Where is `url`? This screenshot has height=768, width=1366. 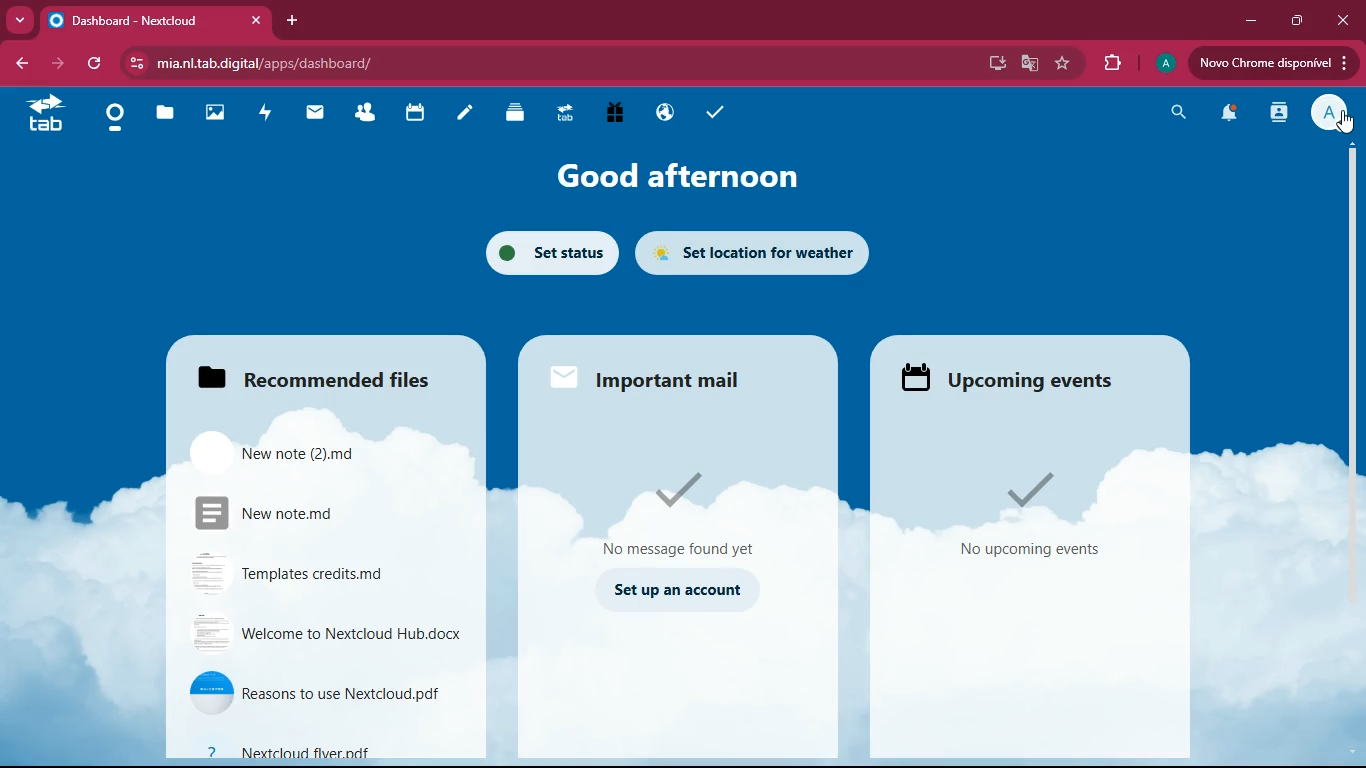 url is located at coordinates (292, 64).